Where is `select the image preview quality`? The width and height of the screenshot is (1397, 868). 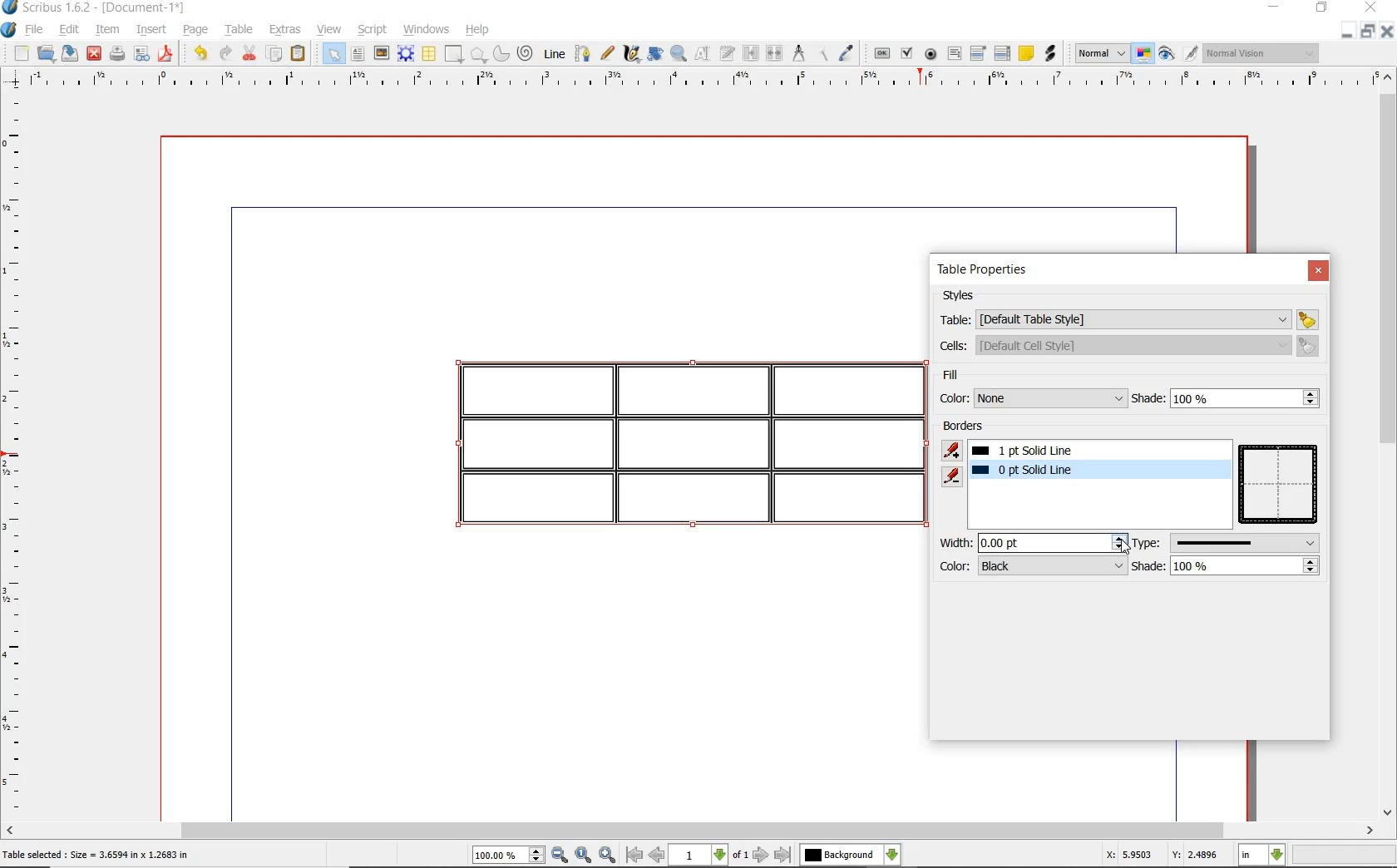 select the image preview quality is located at coordinates (1097, 53).